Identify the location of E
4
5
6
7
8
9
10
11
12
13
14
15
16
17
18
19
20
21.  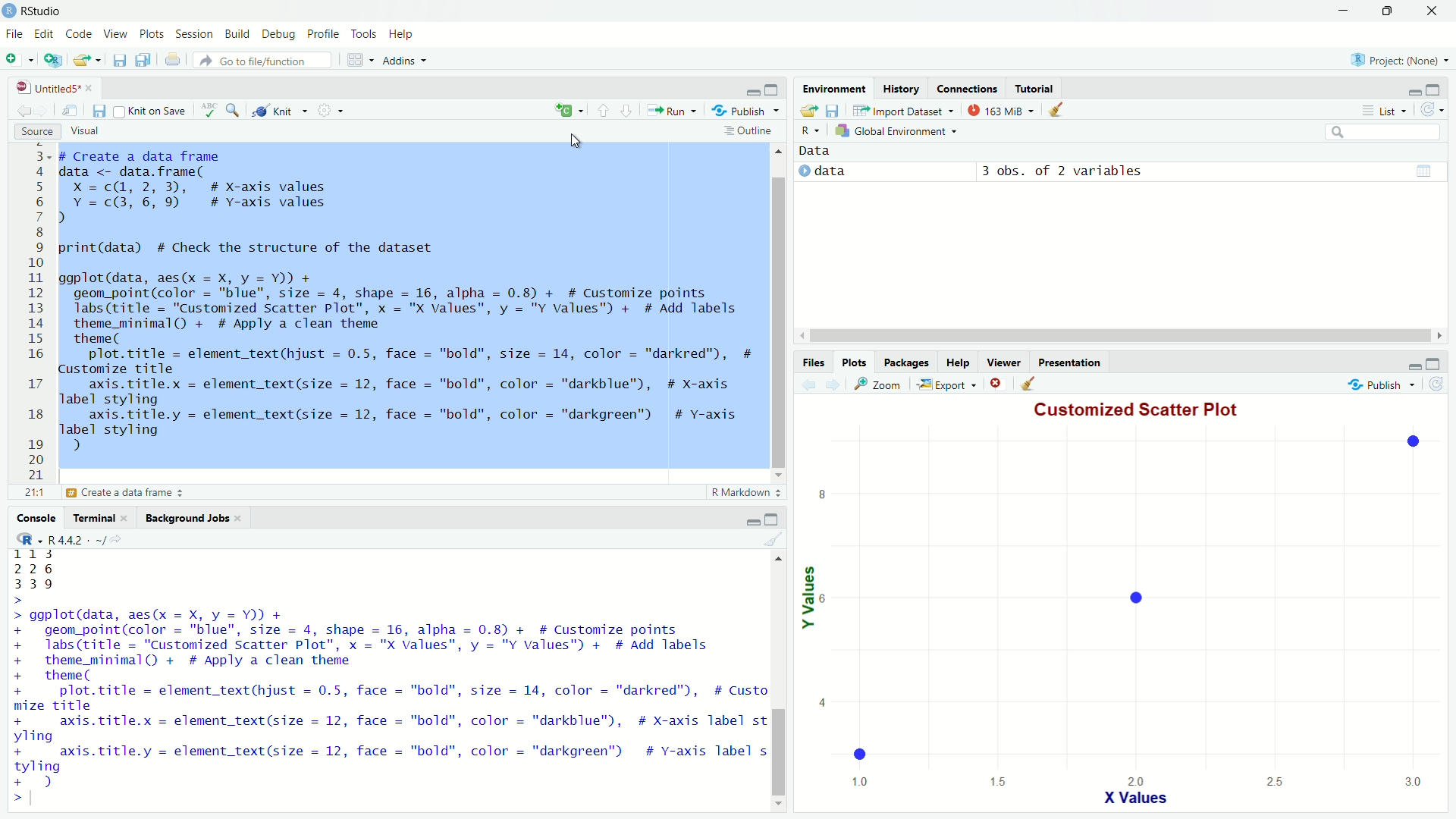
(36, 312).